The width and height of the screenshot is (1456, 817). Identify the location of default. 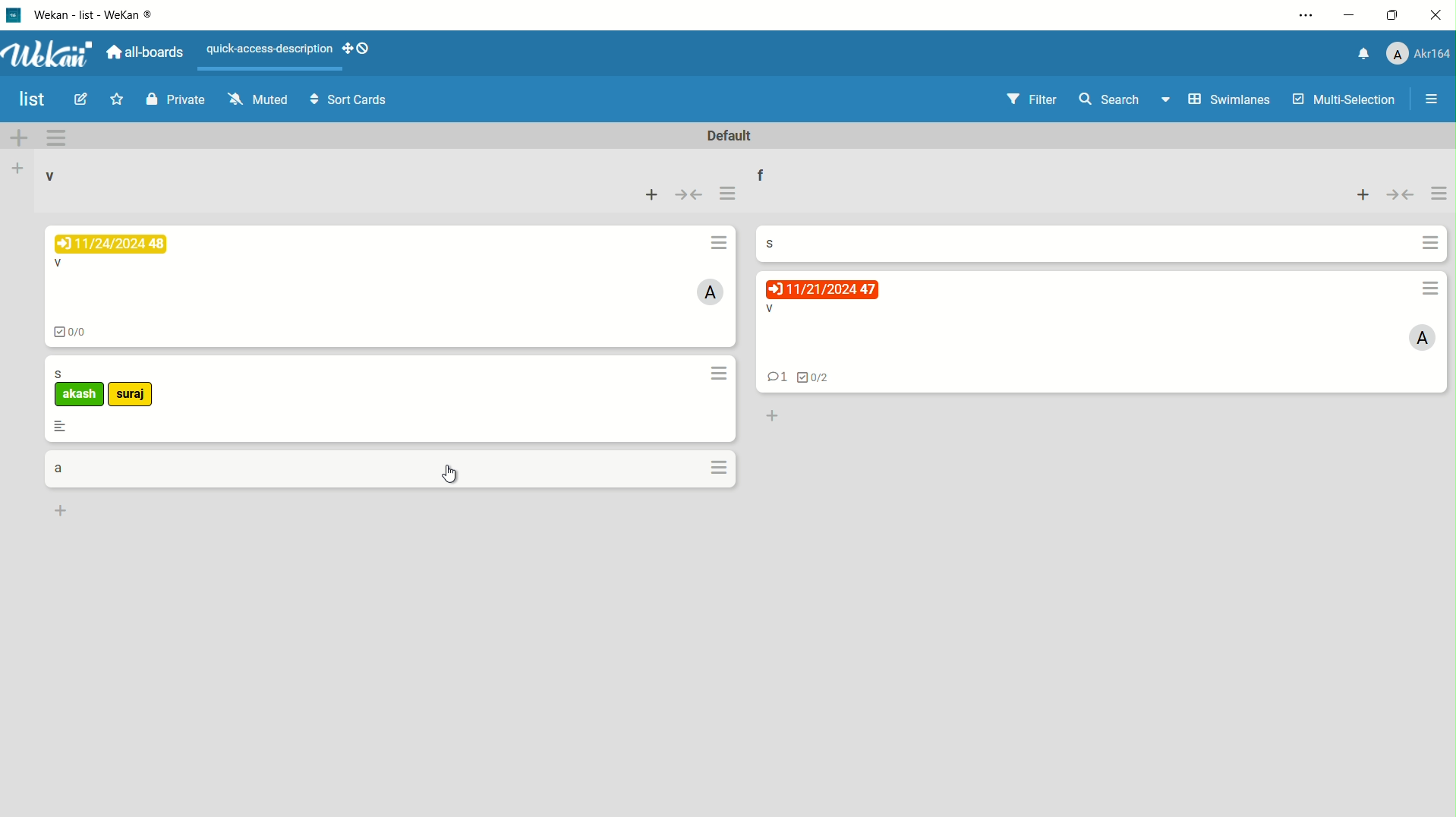
(730, 136).